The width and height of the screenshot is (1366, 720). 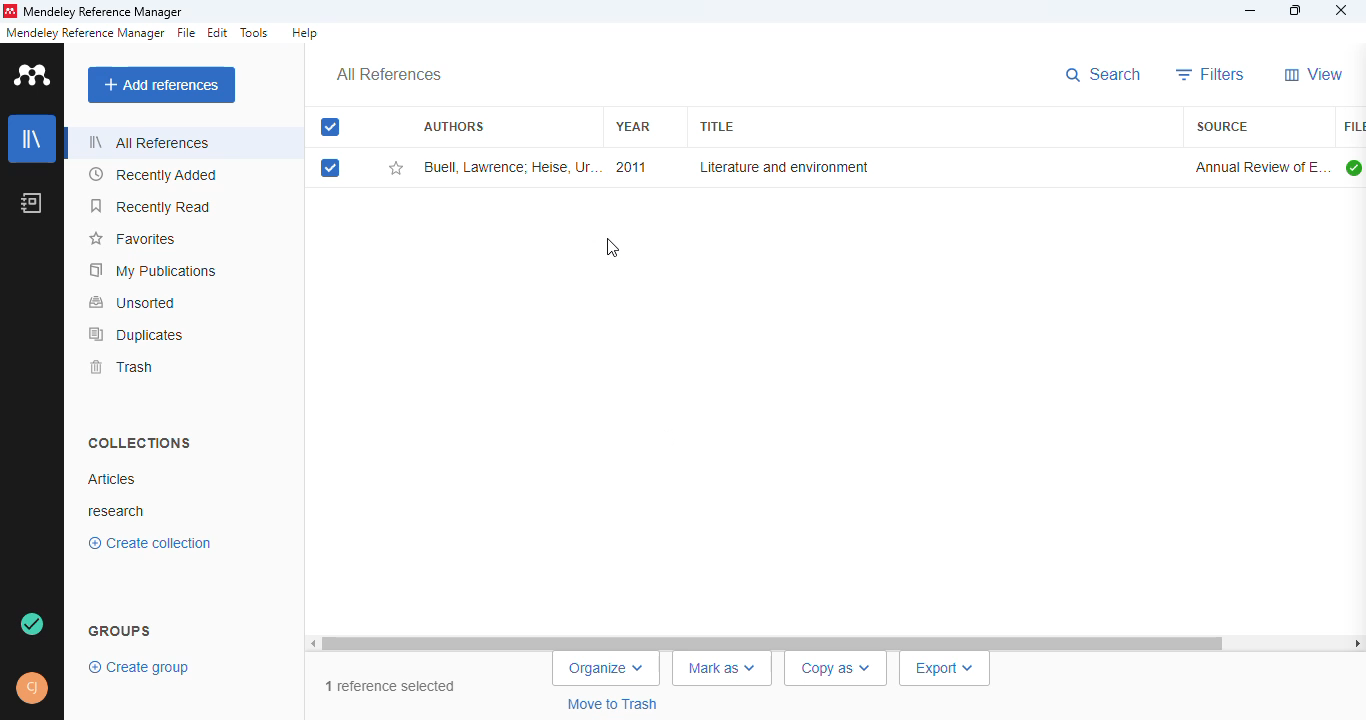 What do you see at coordinates (150, 142) in the screenshot?
I see `all references` at bounding box center [150, 142].